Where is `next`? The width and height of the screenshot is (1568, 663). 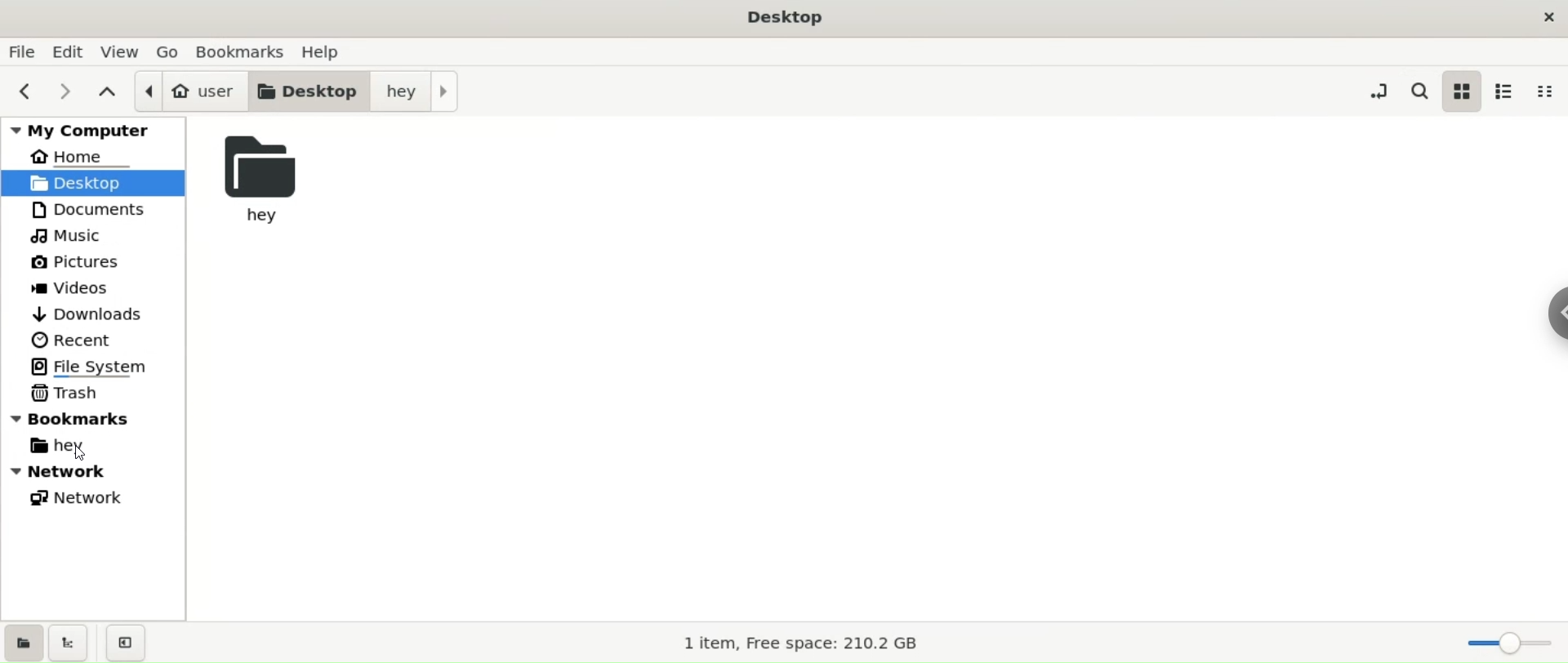
next is located at coordinates (73, 92).